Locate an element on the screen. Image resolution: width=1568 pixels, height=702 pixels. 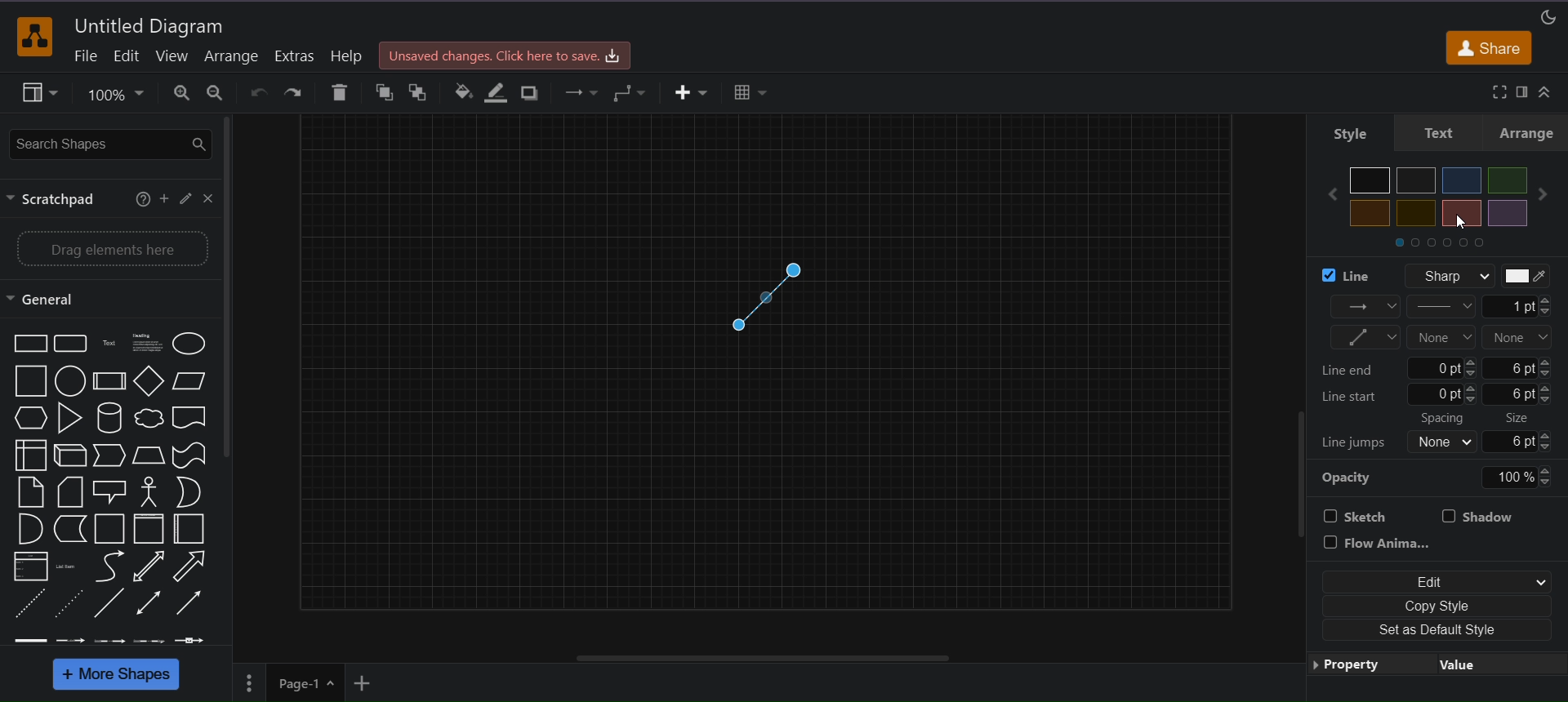
line end is located at coordinates (1441, 370).